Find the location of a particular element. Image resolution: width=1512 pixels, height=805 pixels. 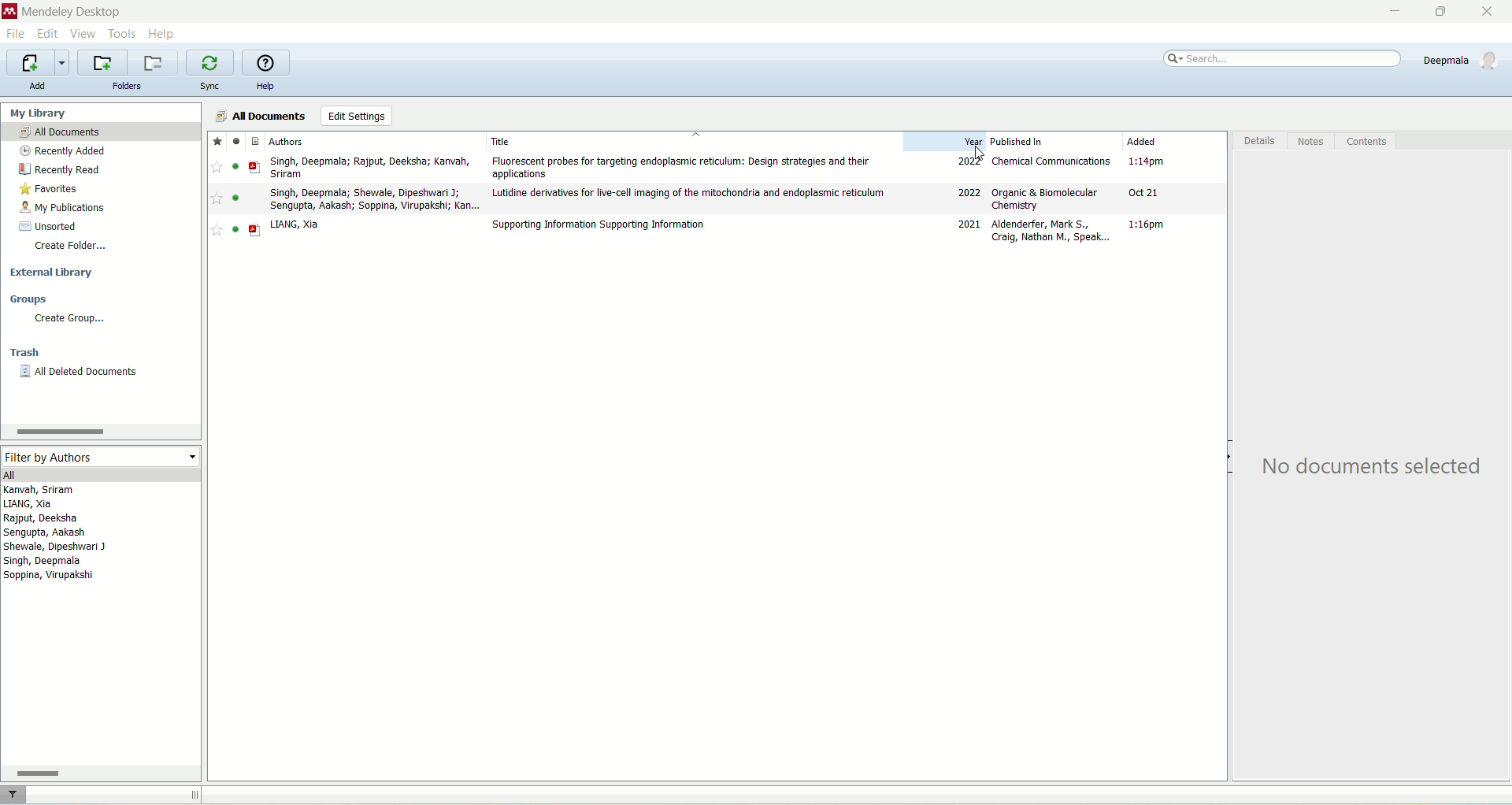

online help guide for mendeley is located at coordinates (266, 61).